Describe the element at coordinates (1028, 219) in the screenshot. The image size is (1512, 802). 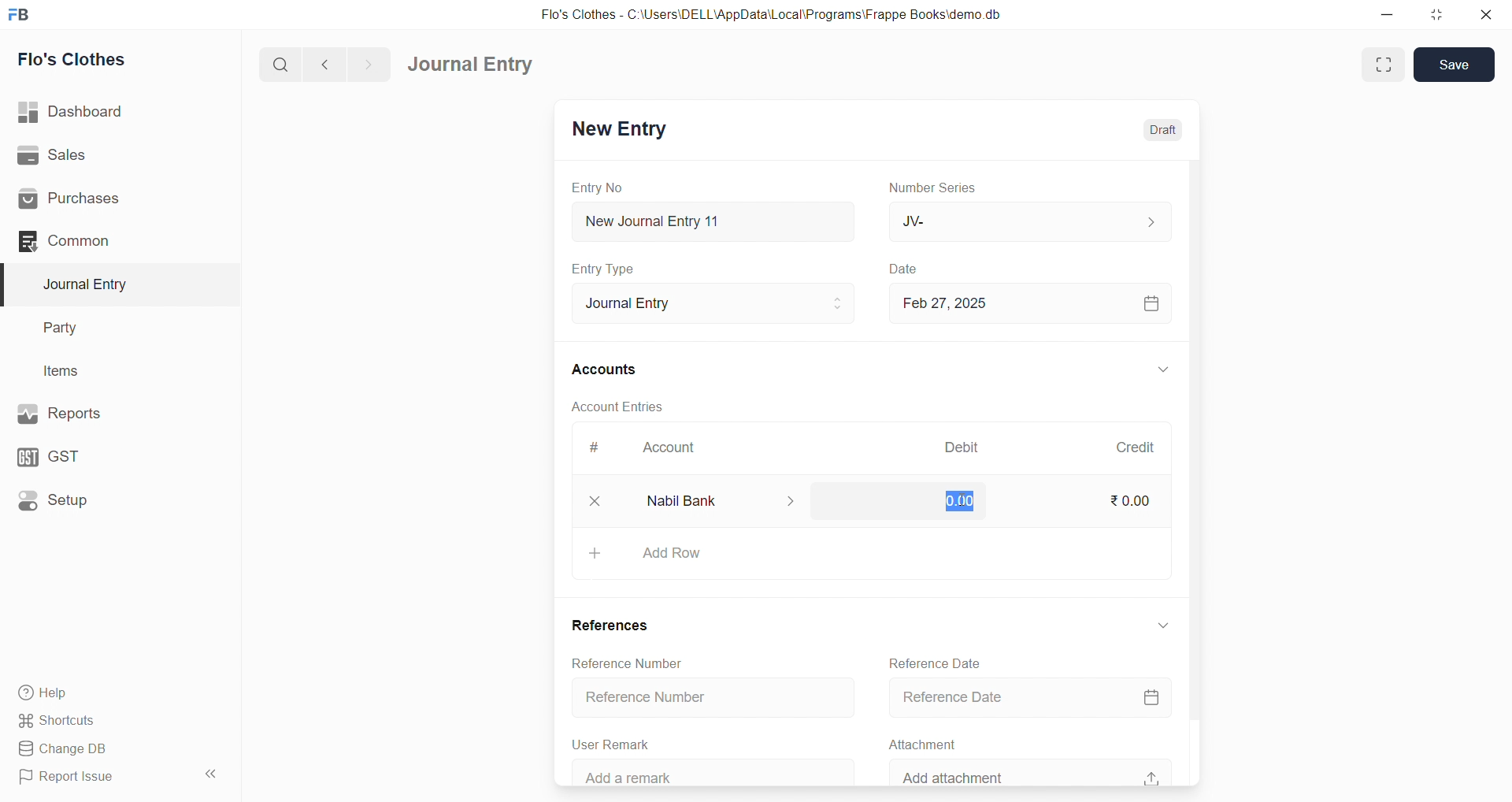
I see `JV-` at that location.